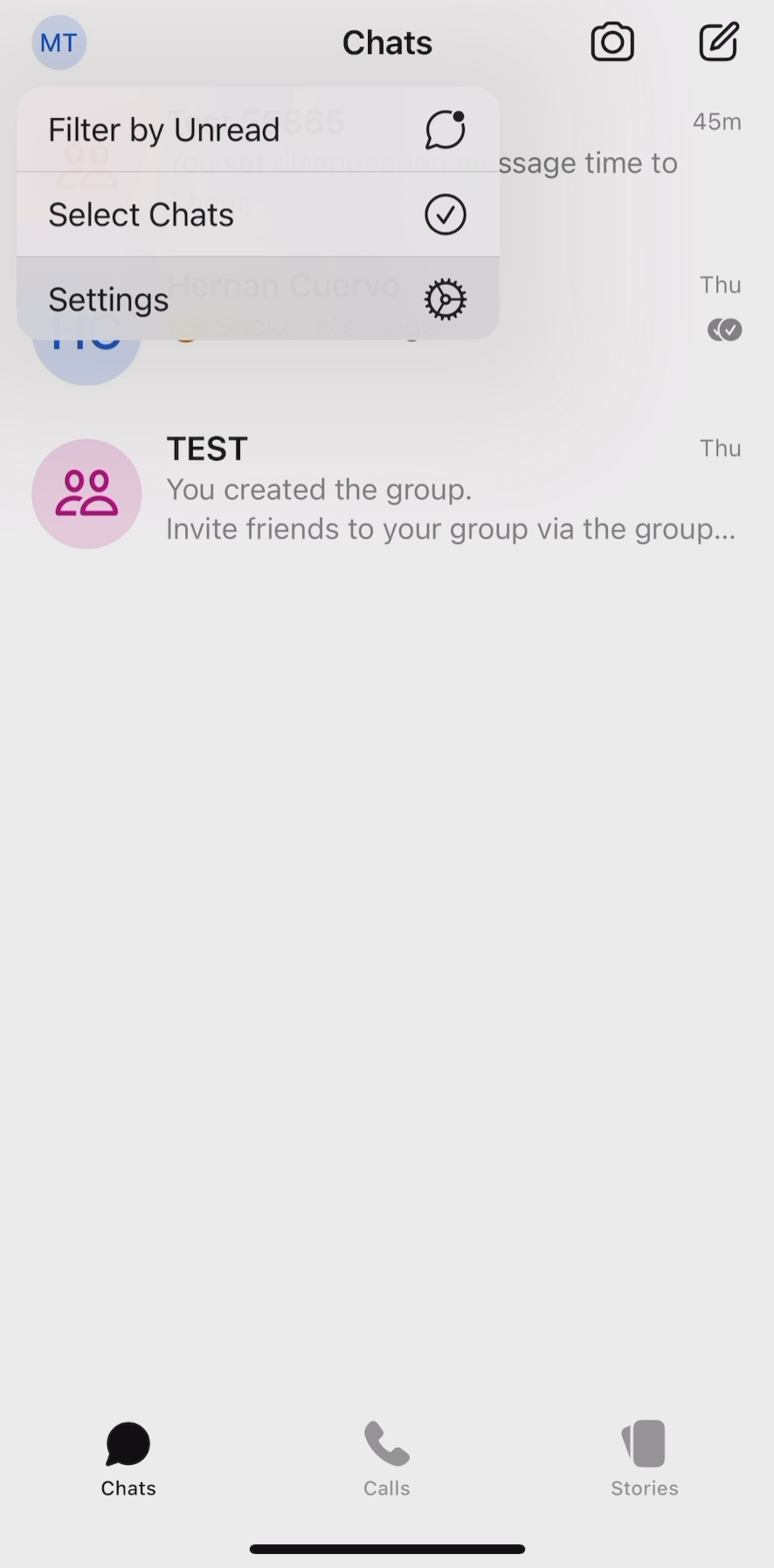 This screenshot has height=1568, width=774. Describe the element at coordinates (387, 44) in the screenshot. I see `chats` at that location.